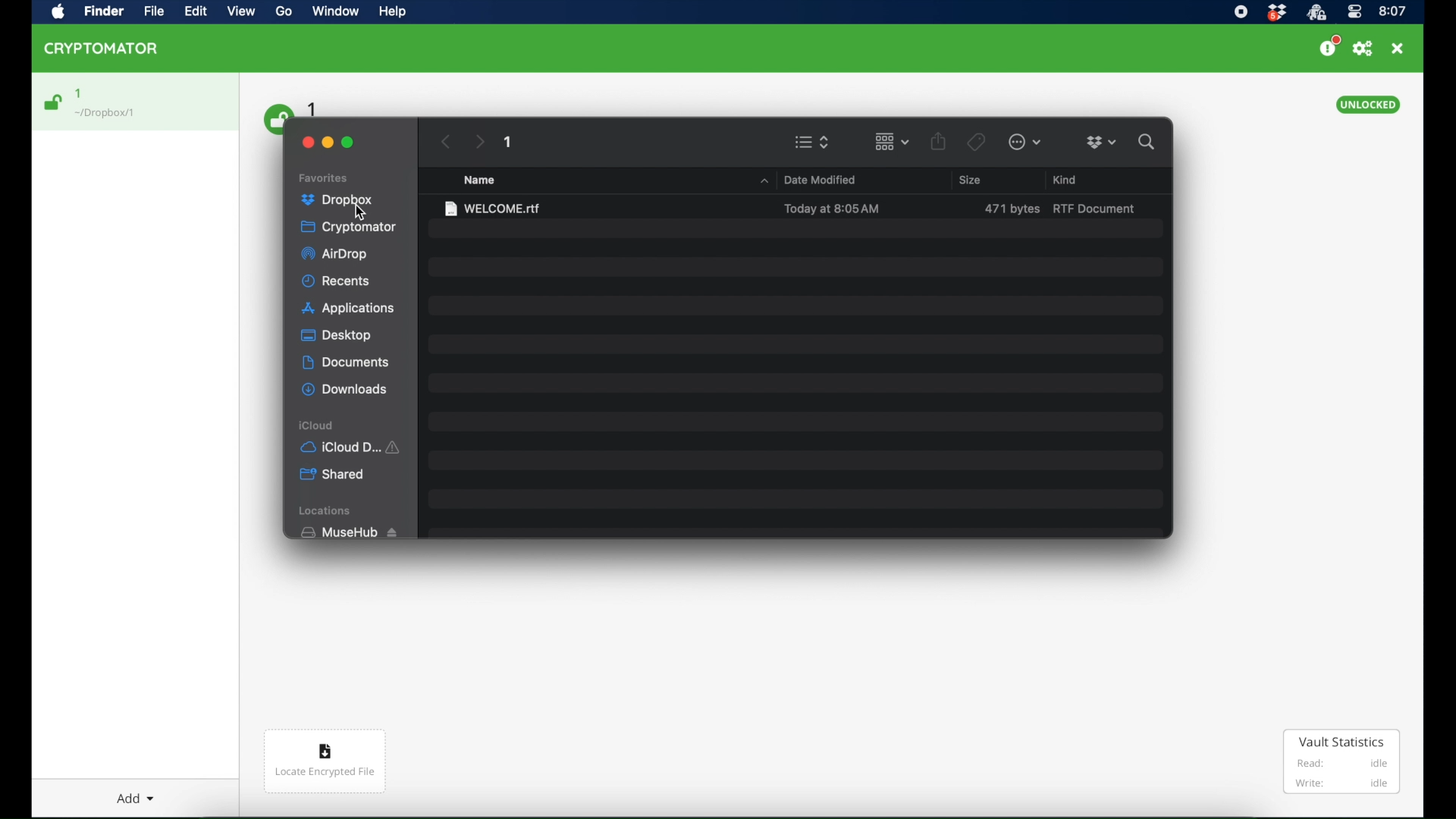 The height and width of the screenshot is (819, 1456). I want to click on cryptomator, so click(350, 227).